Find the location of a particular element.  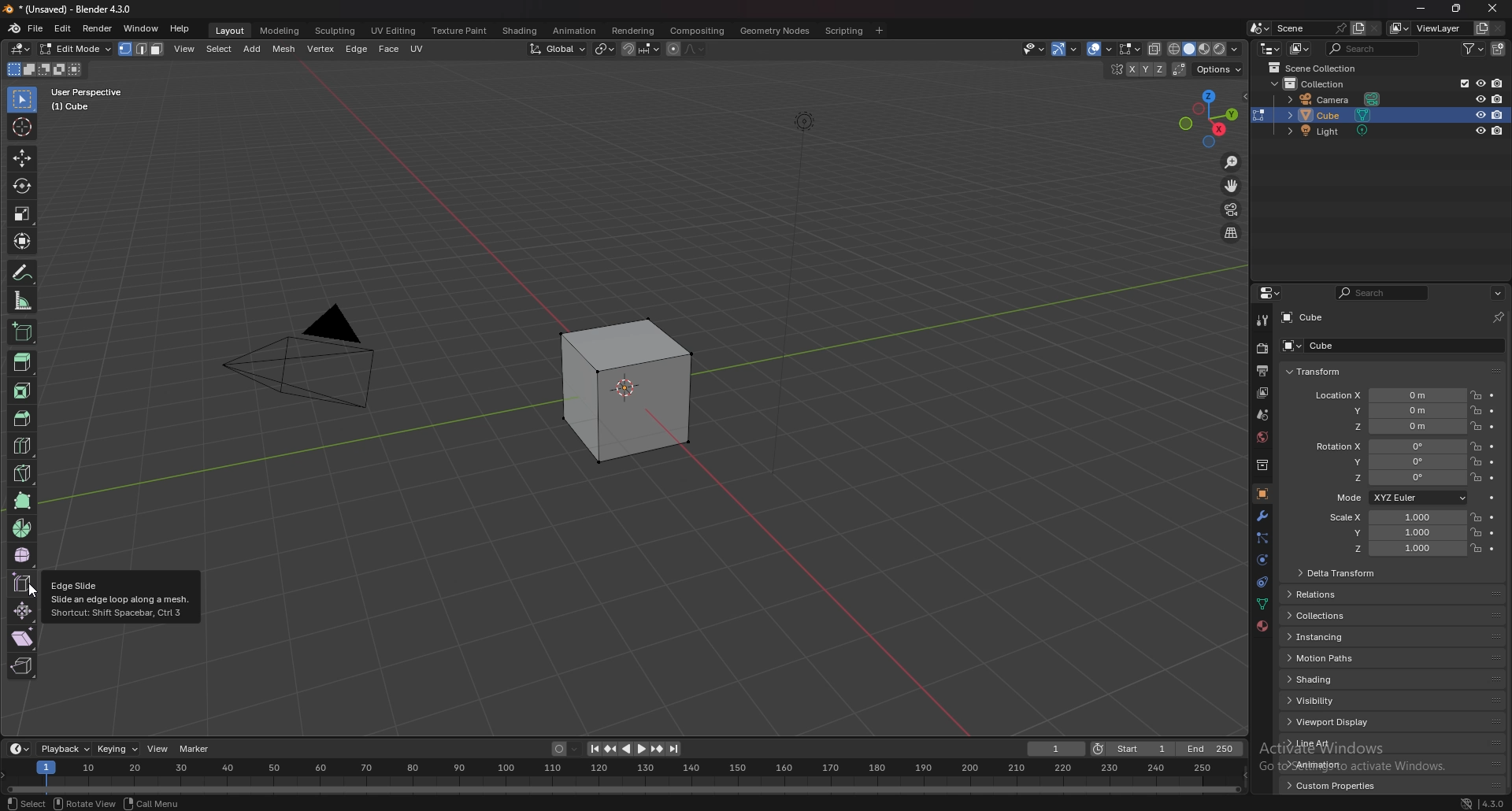

object is located at coordinates (1262, 494).